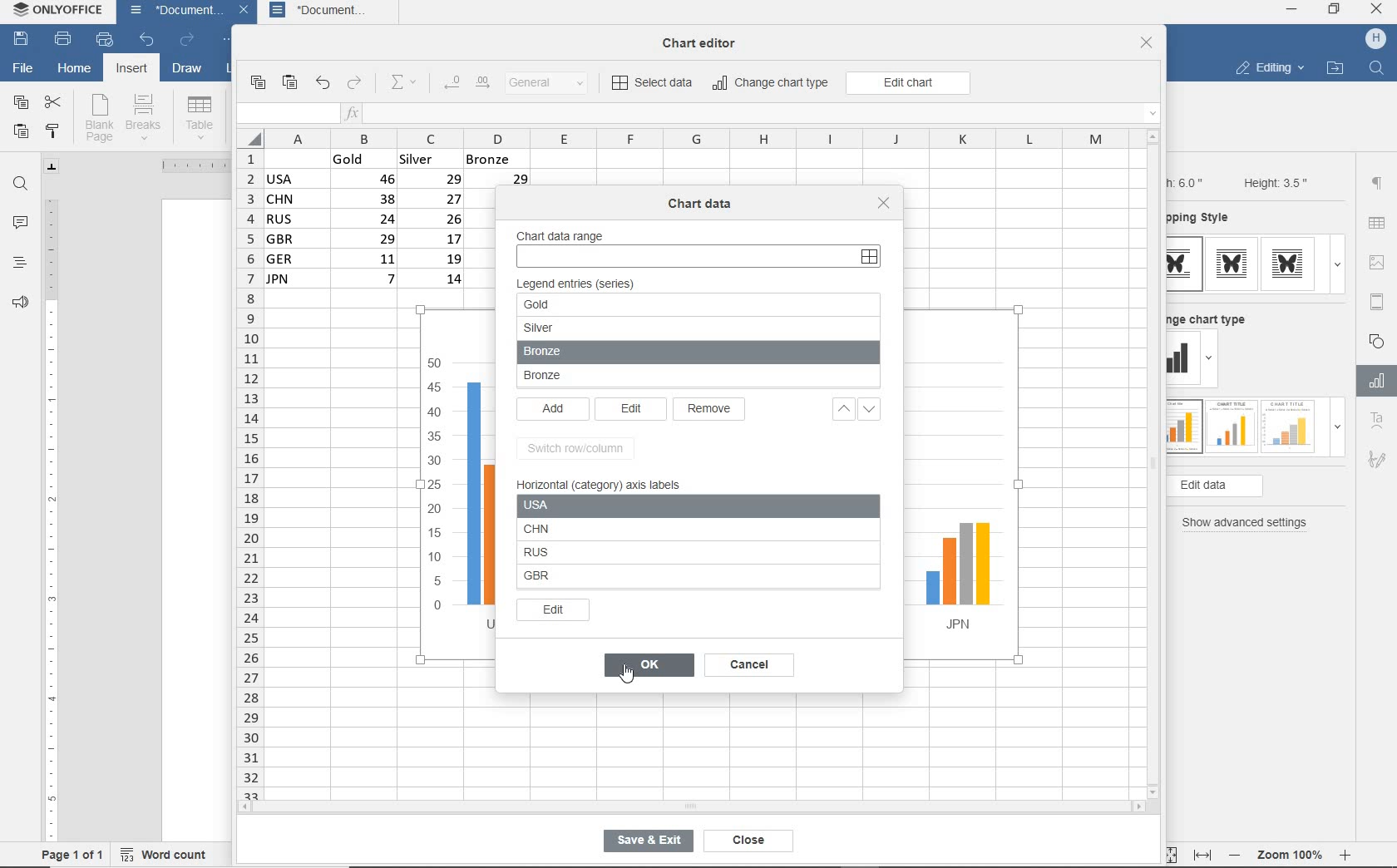 The image size is (1397, 868). What do you see at coordinates (1167, 854) in the screenshot?
I see `fit to page` at bounding box center [1167, 854].